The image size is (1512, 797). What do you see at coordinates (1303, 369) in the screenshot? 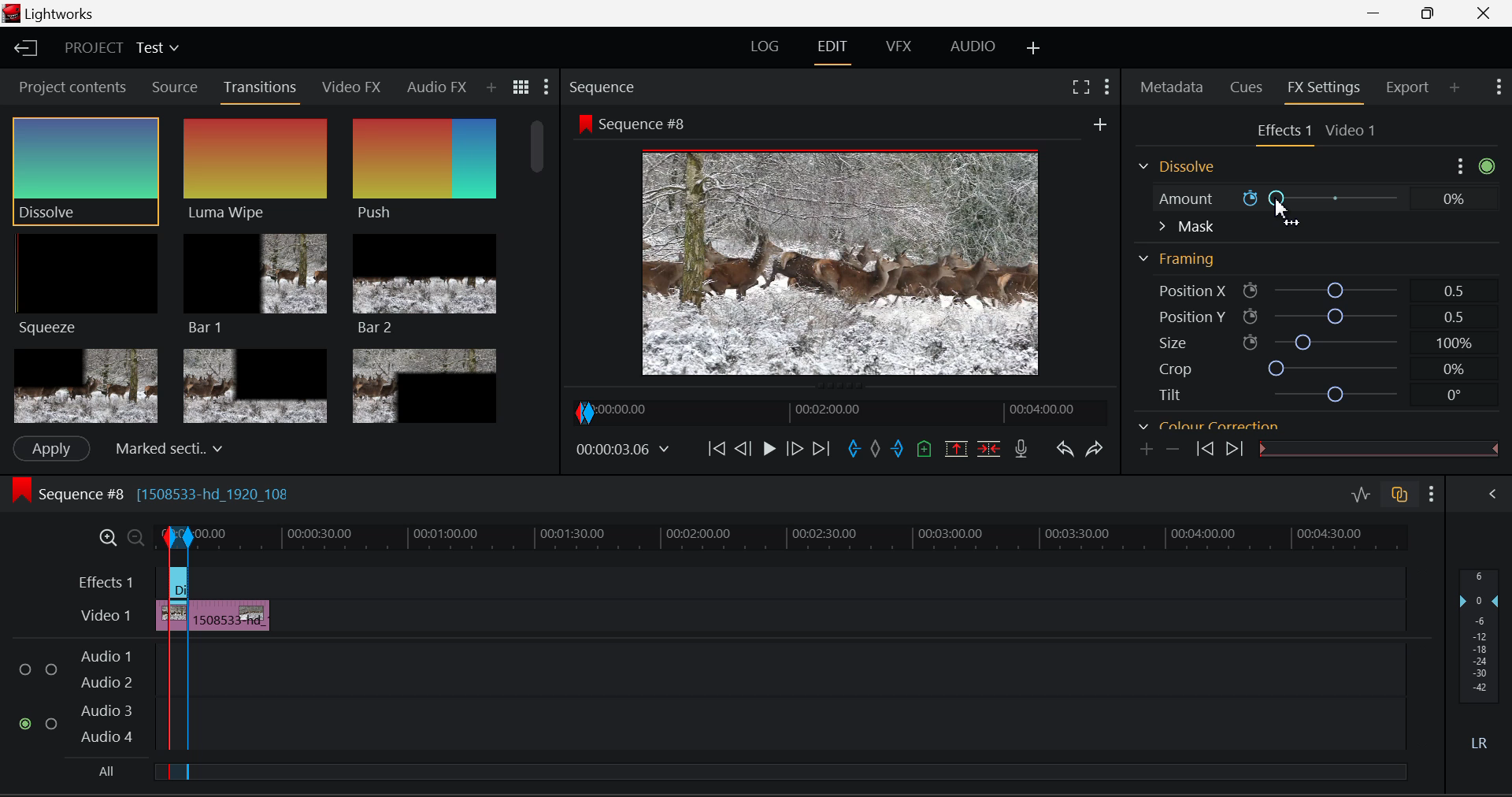
I see `Crop` at bounding box center [1303, 369].